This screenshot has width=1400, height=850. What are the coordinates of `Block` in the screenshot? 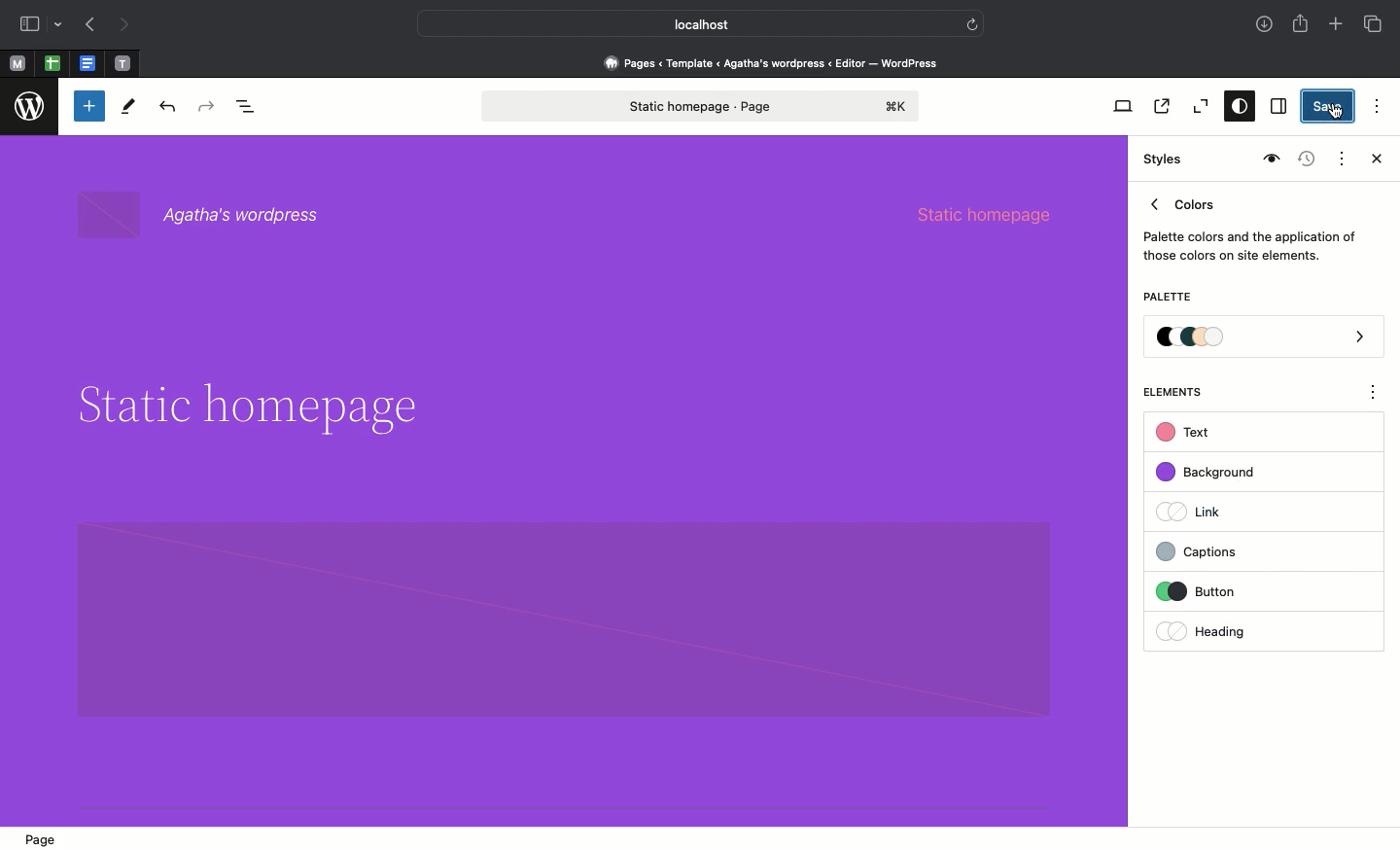 It's located at (565, 620).